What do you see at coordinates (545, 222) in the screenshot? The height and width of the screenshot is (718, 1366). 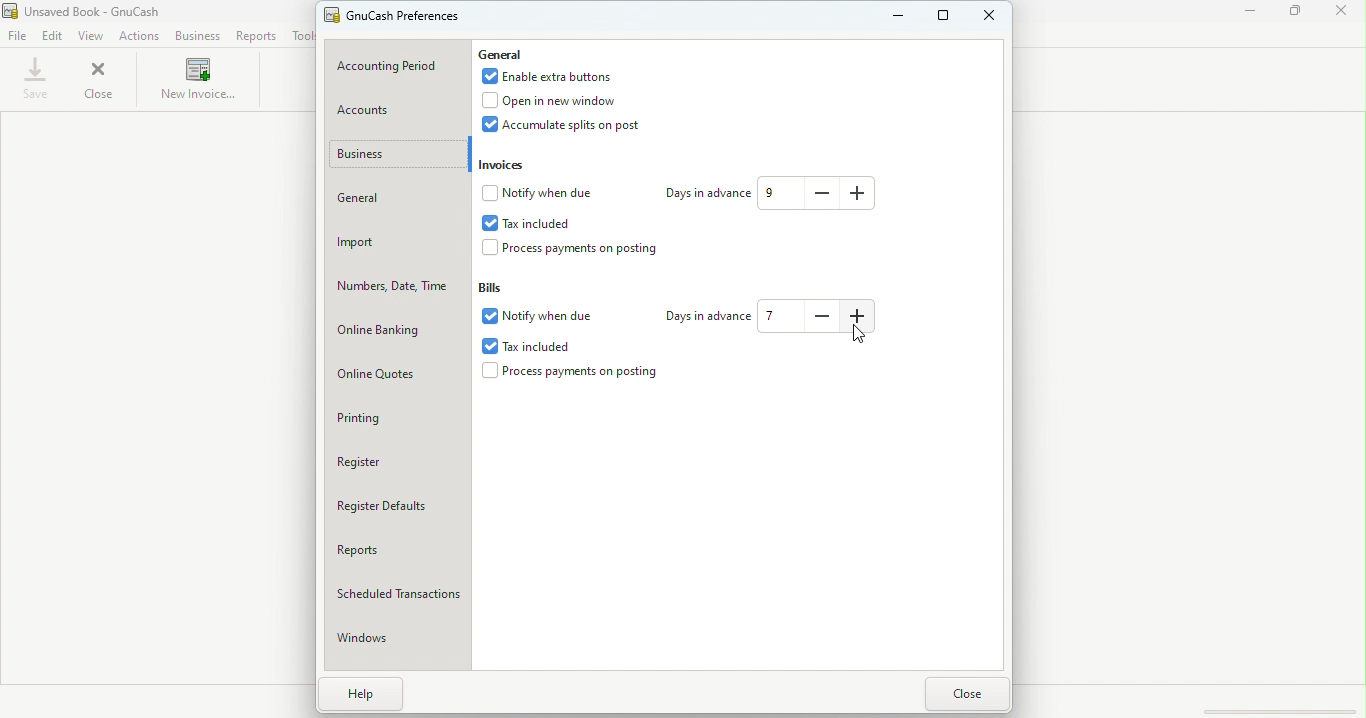 I see `Tax included` at bounding box center [545, 222].